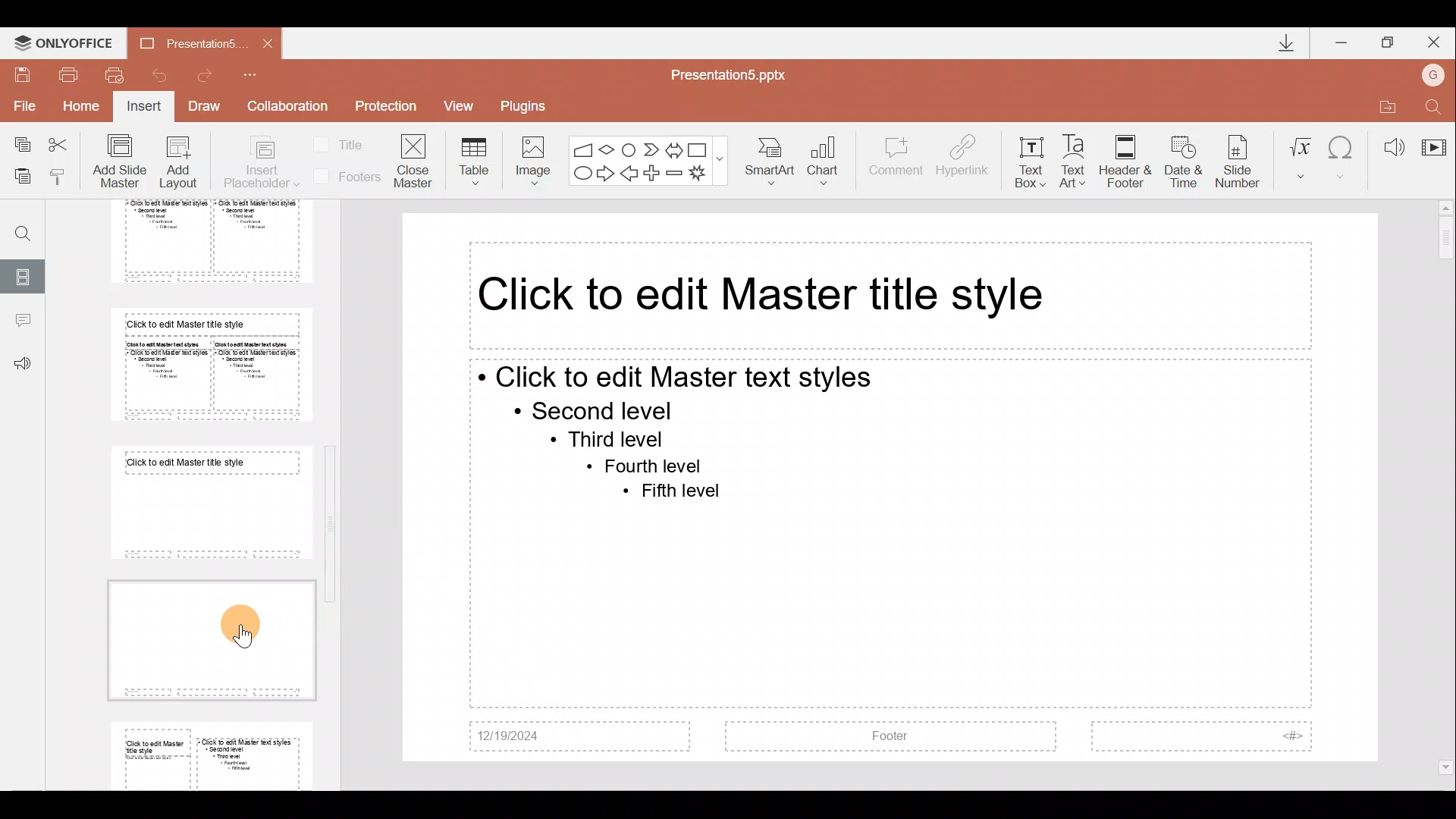 The height and width of the screenshot is (819, 1456). What do you see at coordinates (22, 322) in the screenshot?
I see `Comments` at bounding box center [22, 322].